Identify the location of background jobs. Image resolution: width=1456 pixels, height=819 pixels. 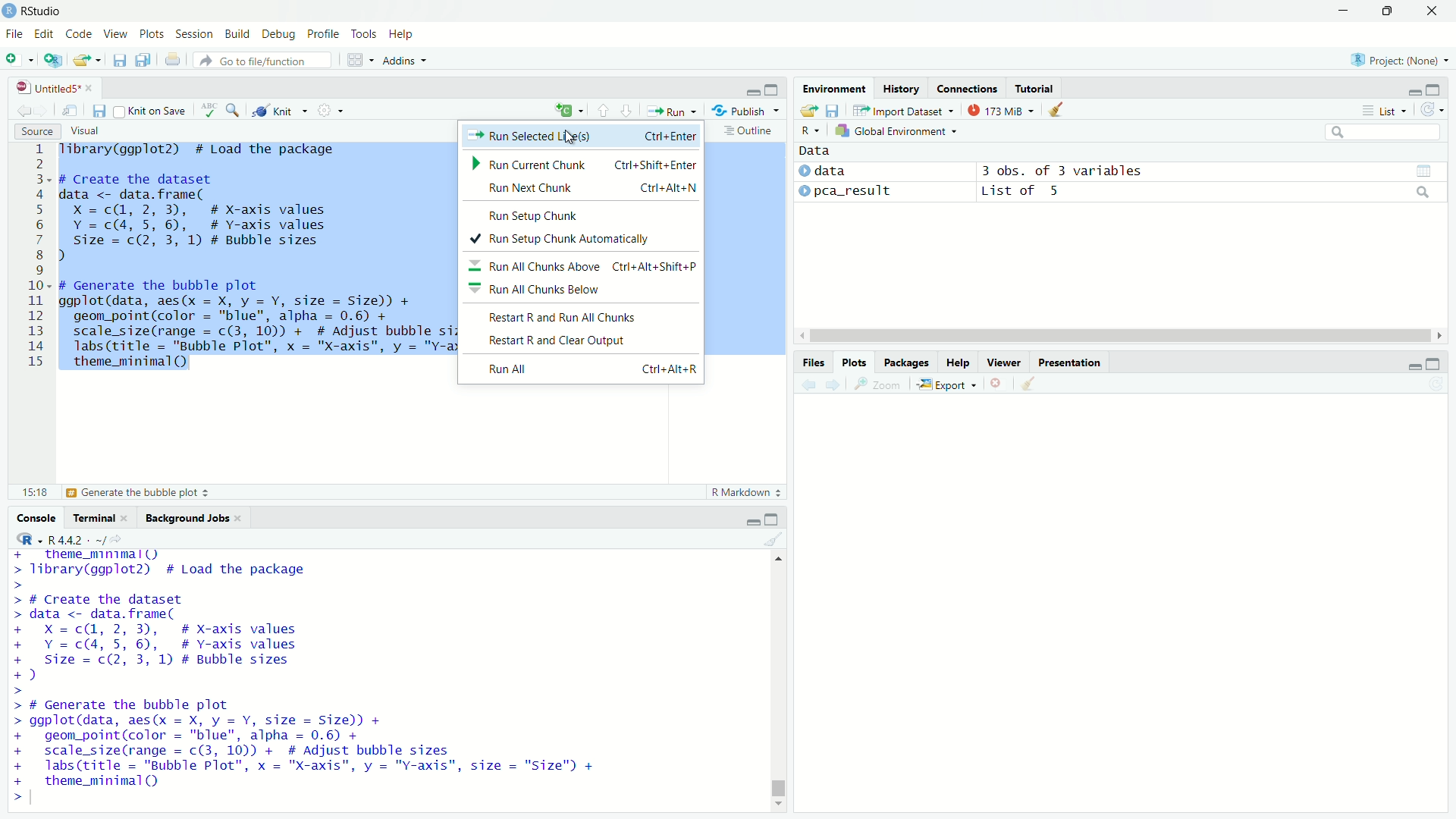
(194, 516).